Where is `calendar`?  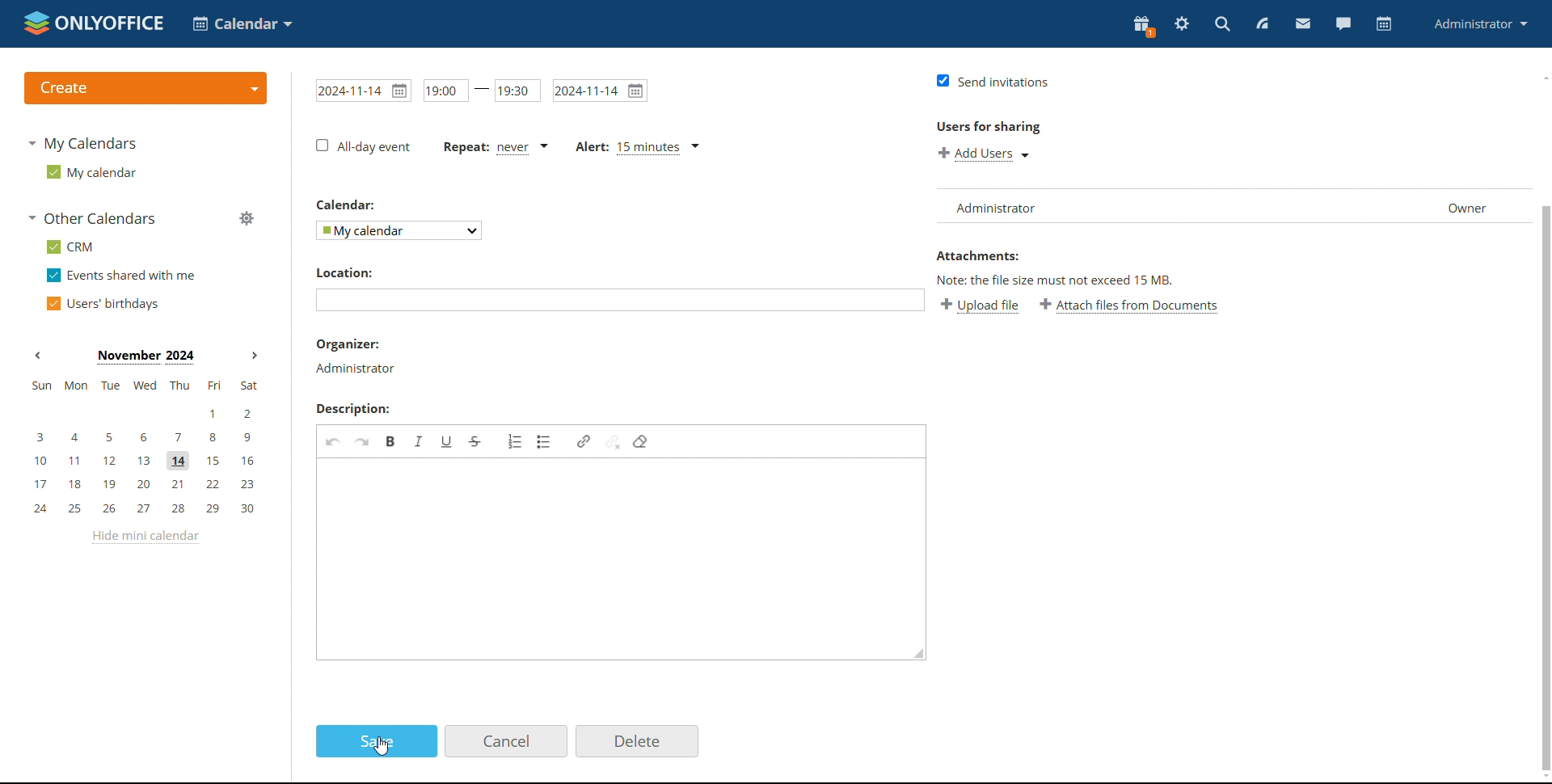
calendar is located at coordinates (1382, 25).